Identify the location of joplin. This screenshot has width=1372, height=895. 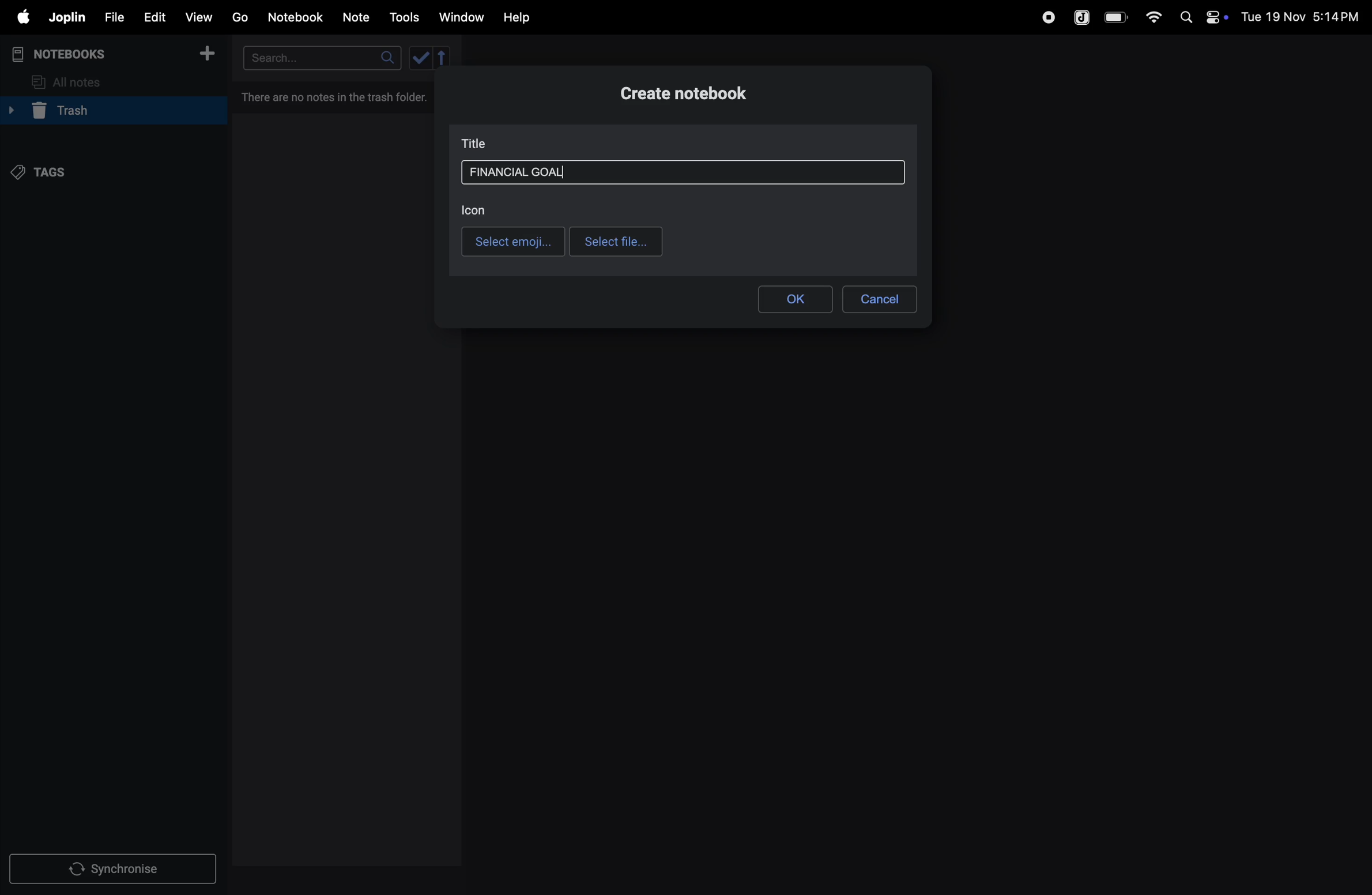
(1083, 16).